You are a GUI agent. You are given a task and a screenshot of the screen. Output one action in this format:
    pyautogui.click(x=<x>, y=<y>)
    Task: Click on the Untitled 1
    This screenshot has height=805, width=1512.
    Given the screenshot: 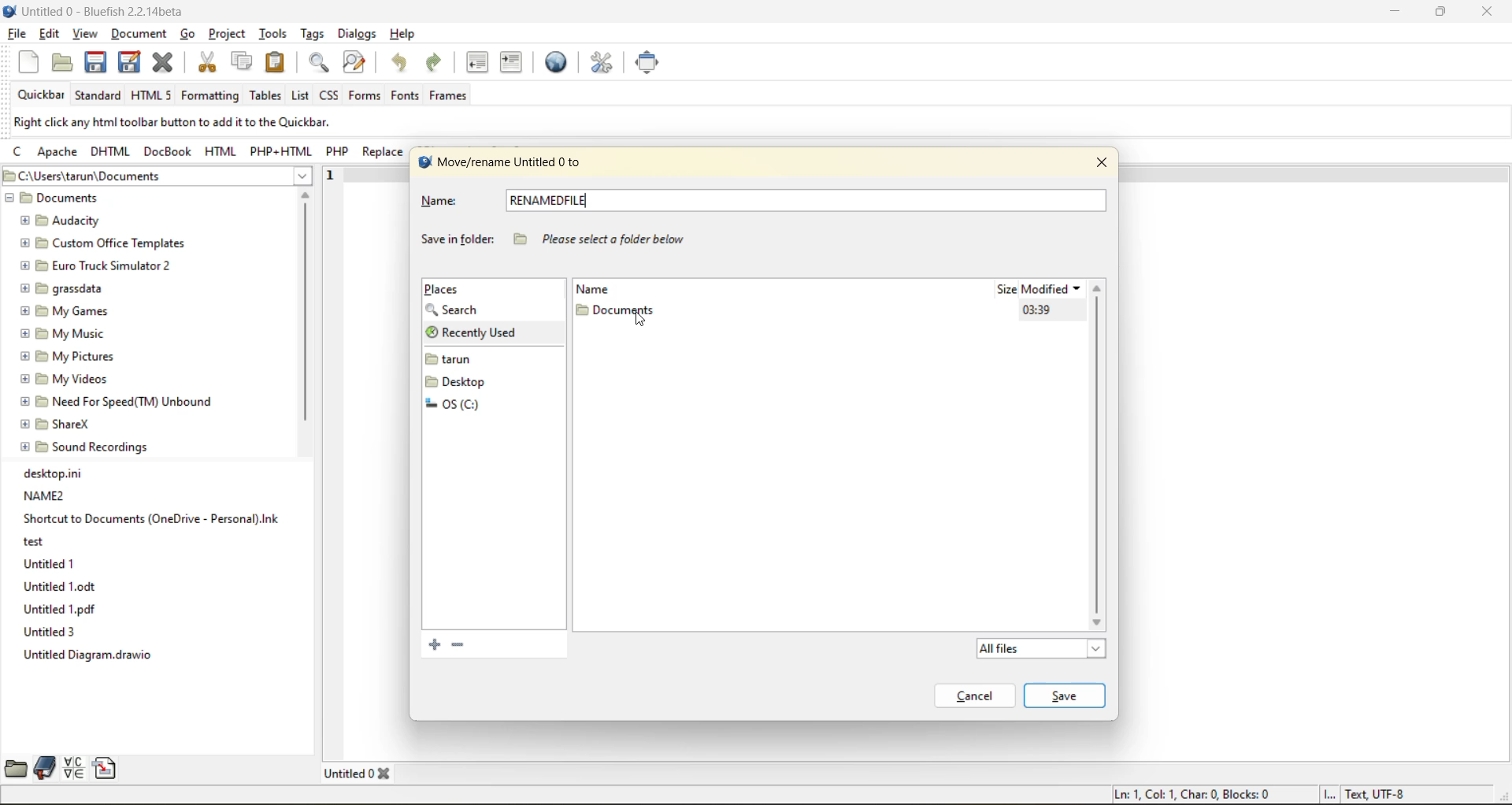 What is the action you would take?
    pyautogui.click(x=51, y=563)
    